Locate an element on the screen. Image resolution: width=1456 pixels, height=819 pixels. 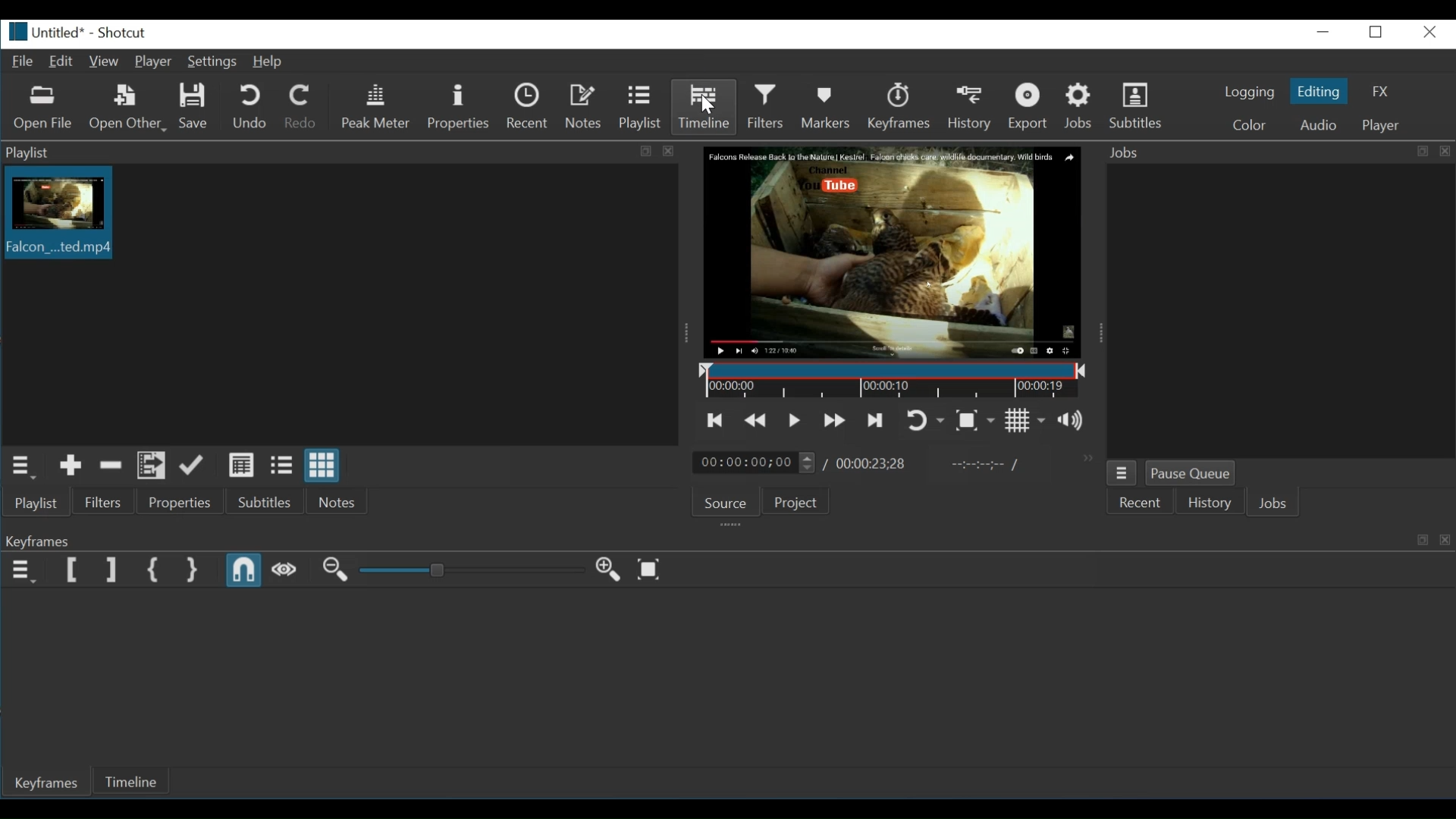
Jobs is located at coordinates (1272, 504).